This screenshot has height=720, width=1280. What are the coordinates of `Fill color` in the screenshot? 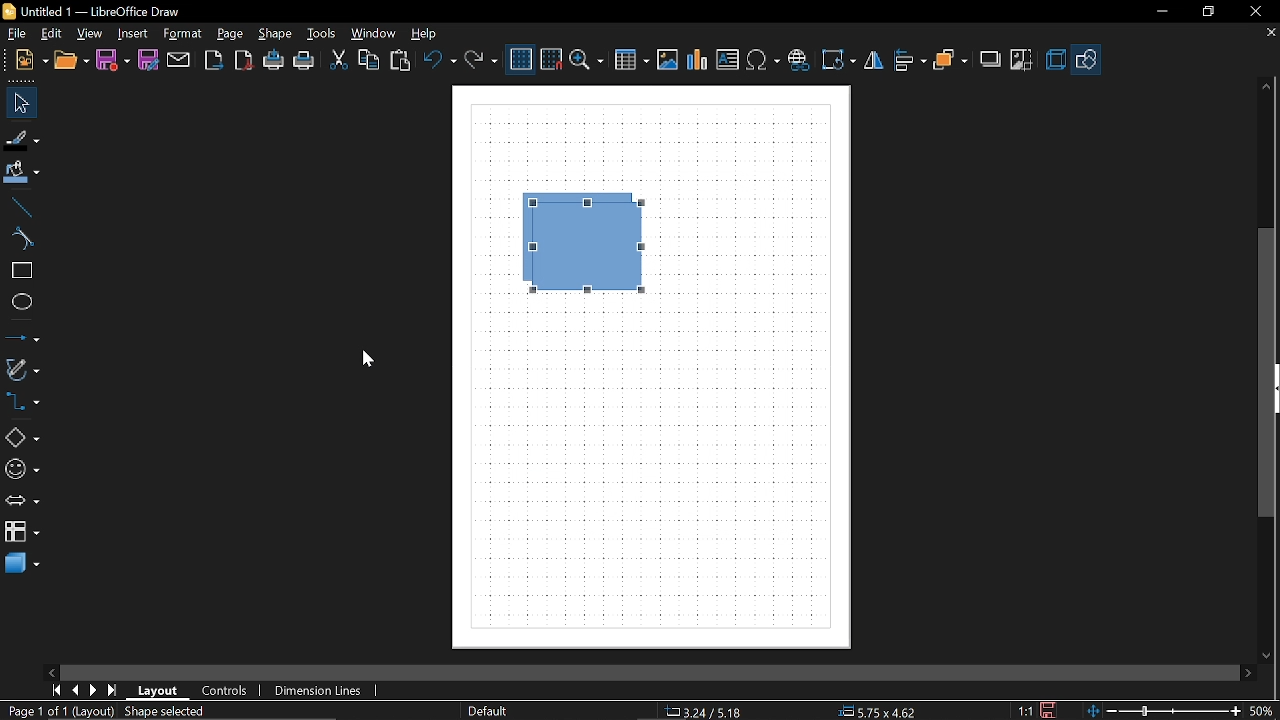 It's located at (22, 175).